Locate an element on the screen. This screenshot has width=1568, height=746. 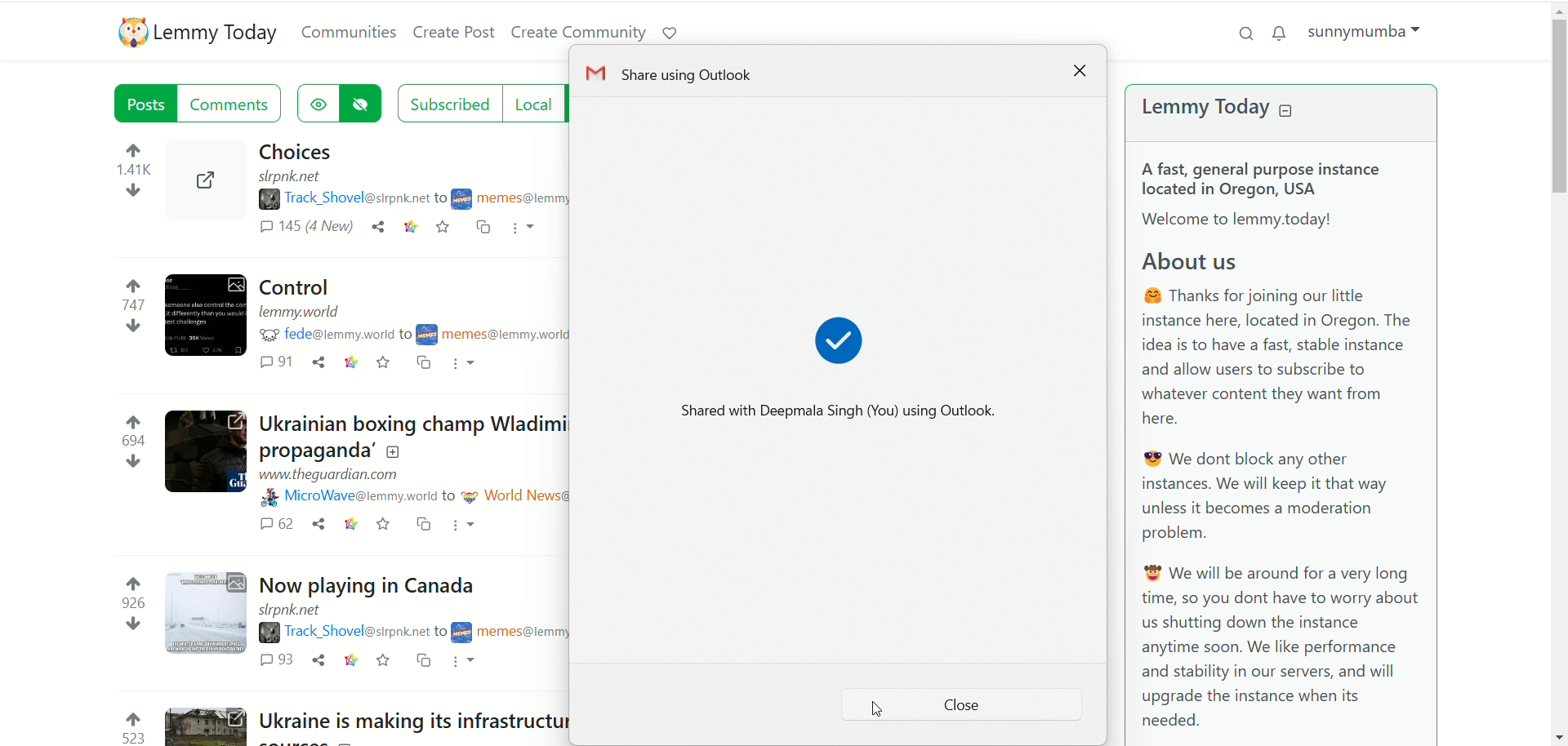
link is located at coordinates (348, 362).